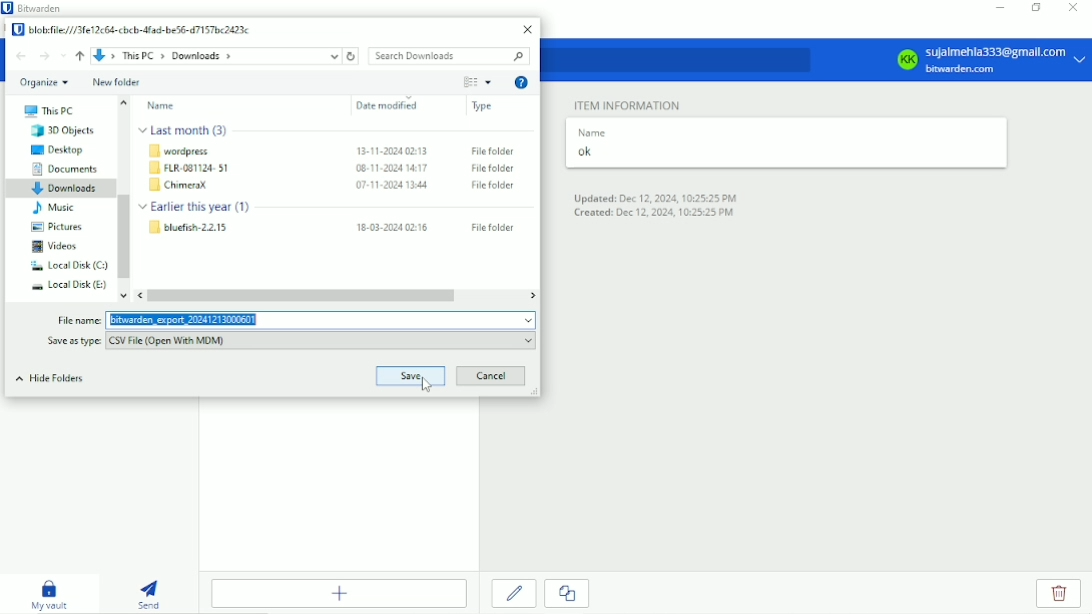 Image resolution: width=1092 pixels, height=614 pixels. I want to click on More options, so click(489, 83).